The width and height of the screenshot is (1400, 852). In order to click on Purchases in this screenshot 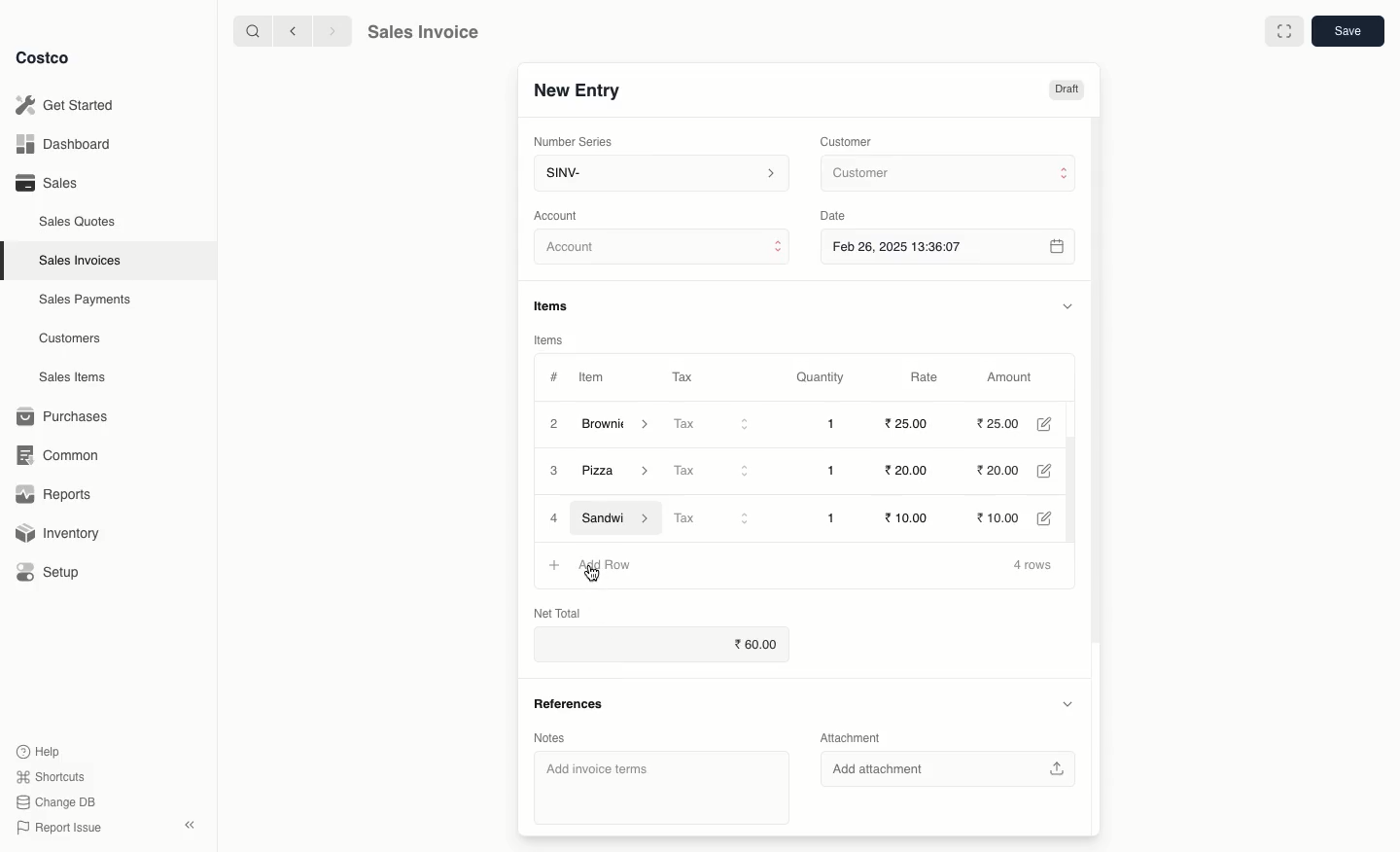, I will do `click(67, 416)`.